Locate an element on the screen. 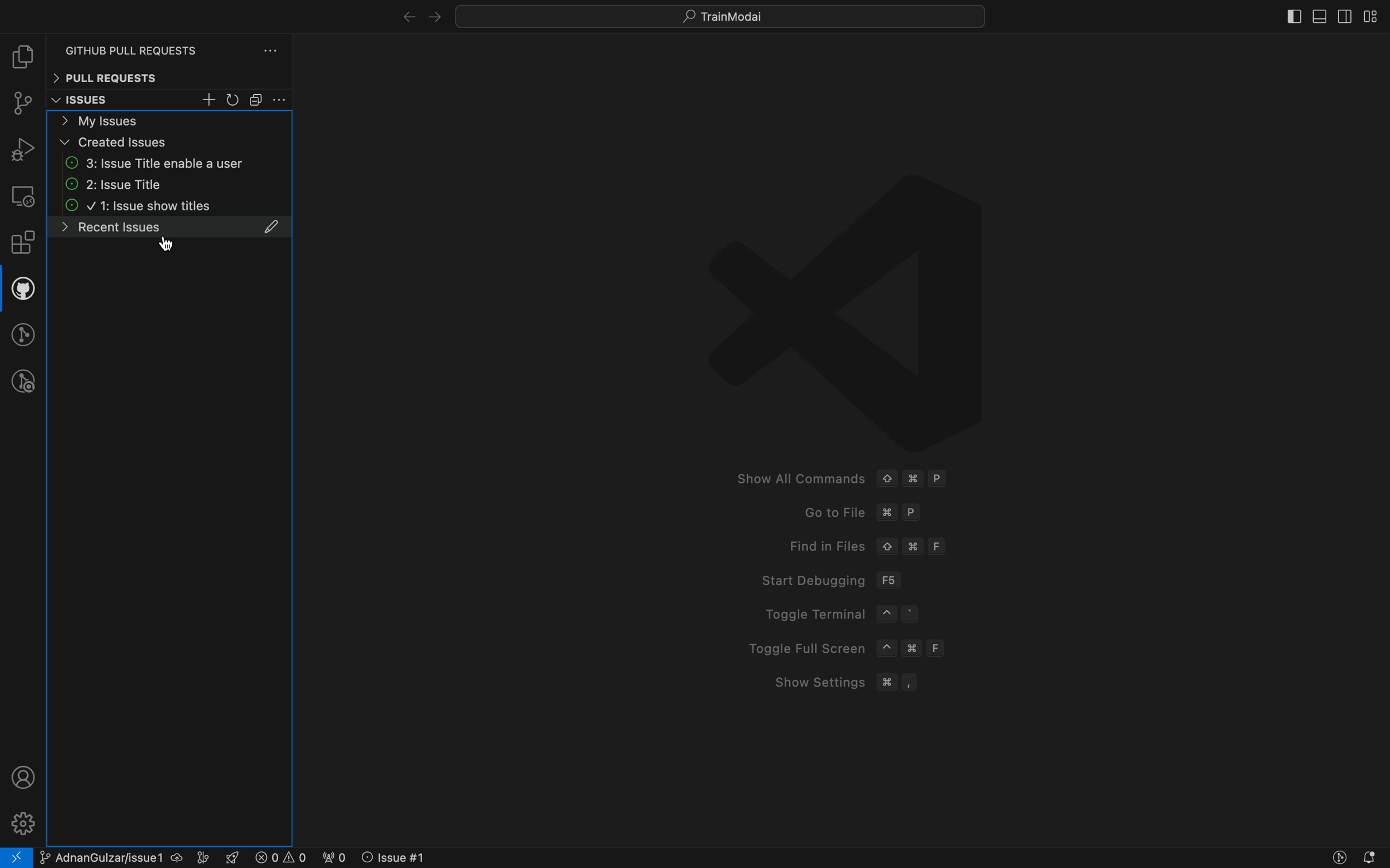  file explorer  is located at coordinates (22, 59).